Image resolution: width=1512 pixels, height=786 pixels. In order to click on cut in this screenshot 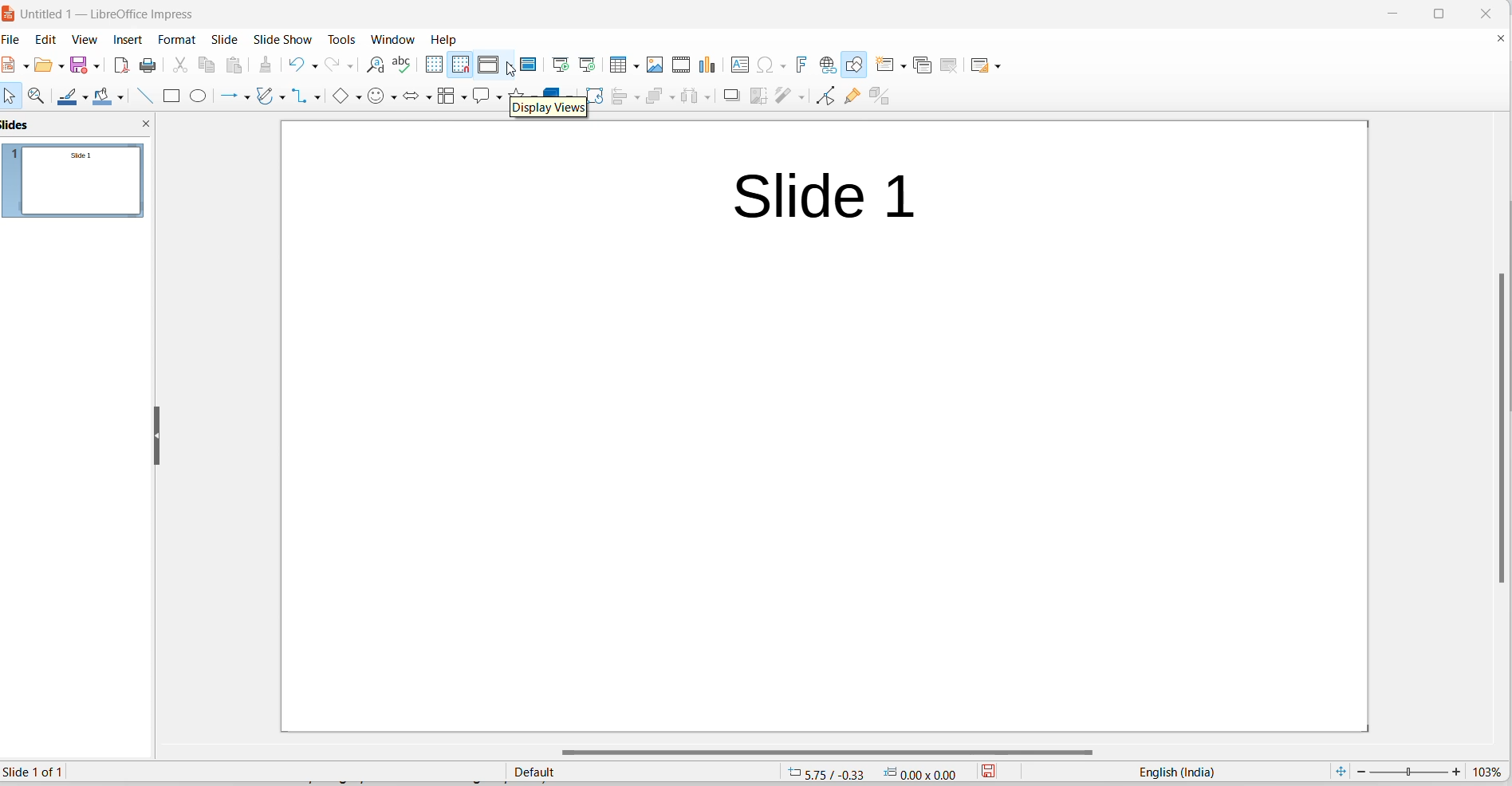, I will do `click(180, 65)`.